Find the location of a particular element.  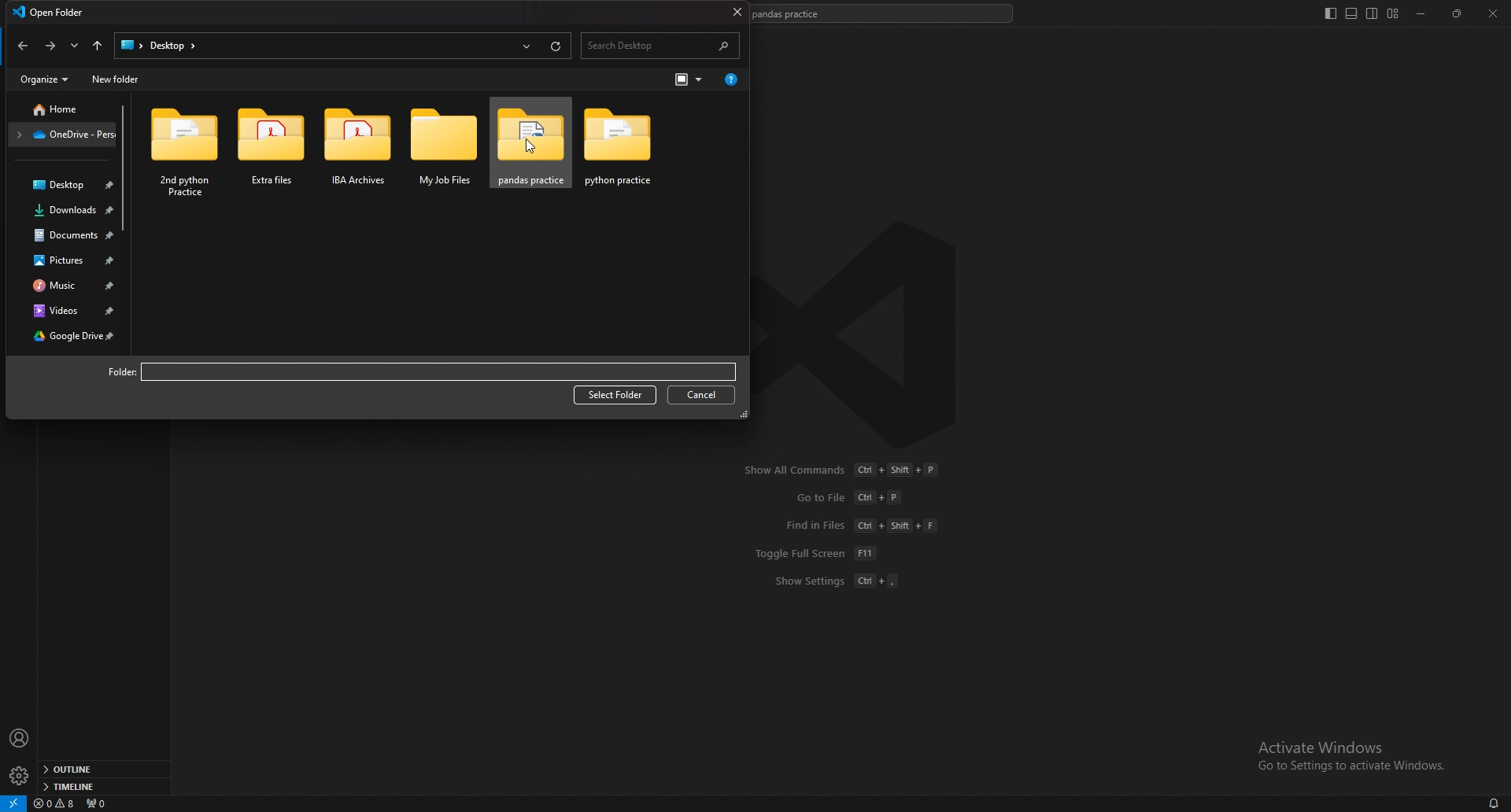

my job files is located at coordinates (438, 149).